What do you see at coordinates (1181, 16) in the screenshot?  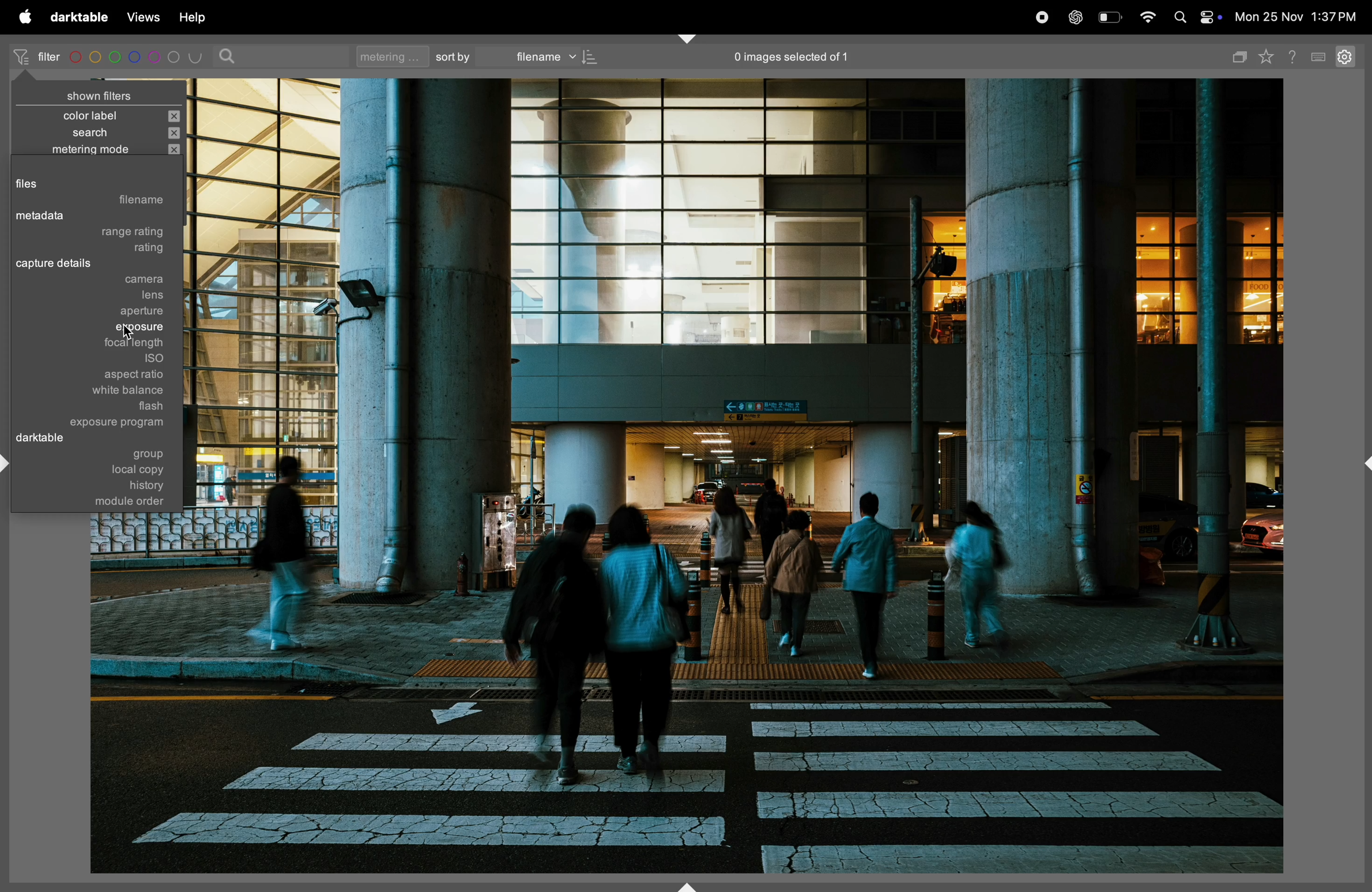 I see `spotlight search` at bounding box center [1181, 16].